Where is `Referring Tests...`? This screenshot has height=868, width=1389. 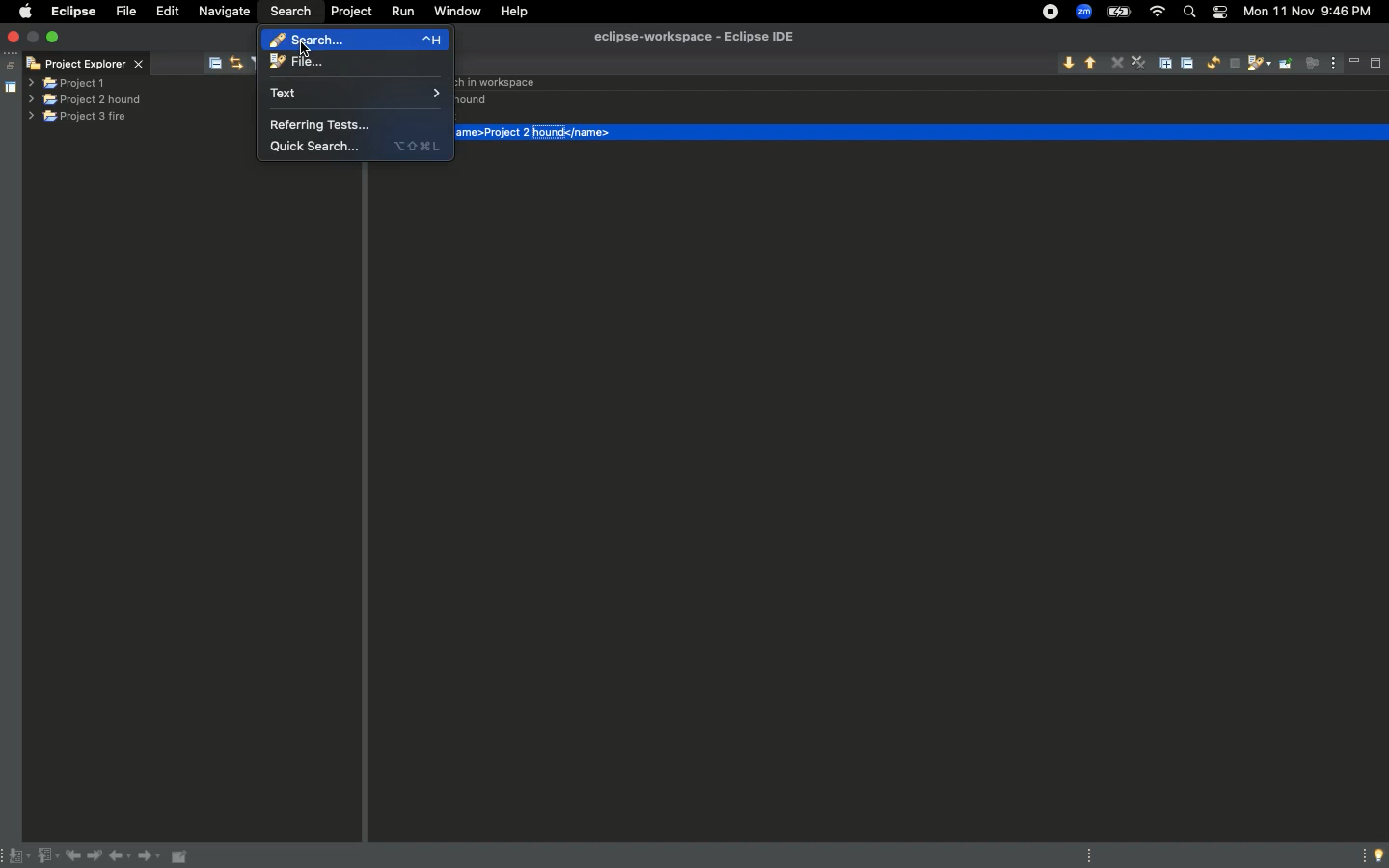 Referring Tests... is located at coordinates (323, 121).